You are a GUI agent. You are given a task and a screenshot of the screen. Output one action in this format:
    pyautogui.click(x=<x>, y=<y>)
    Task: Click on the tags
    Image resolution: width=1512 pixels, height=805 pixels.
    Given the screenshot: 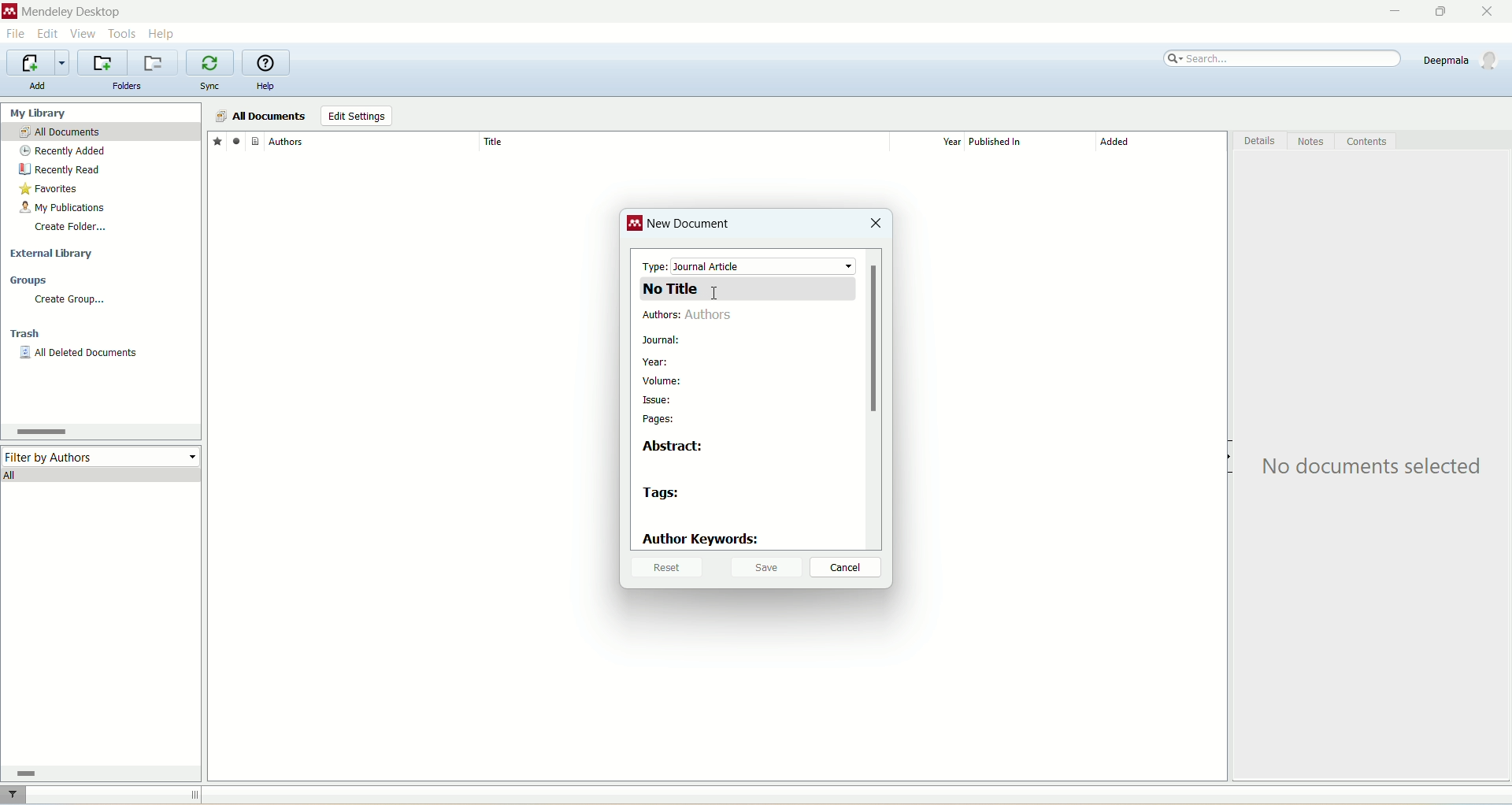 What is the action you would take?
    pyautogui.click(x=663, y=495)
    